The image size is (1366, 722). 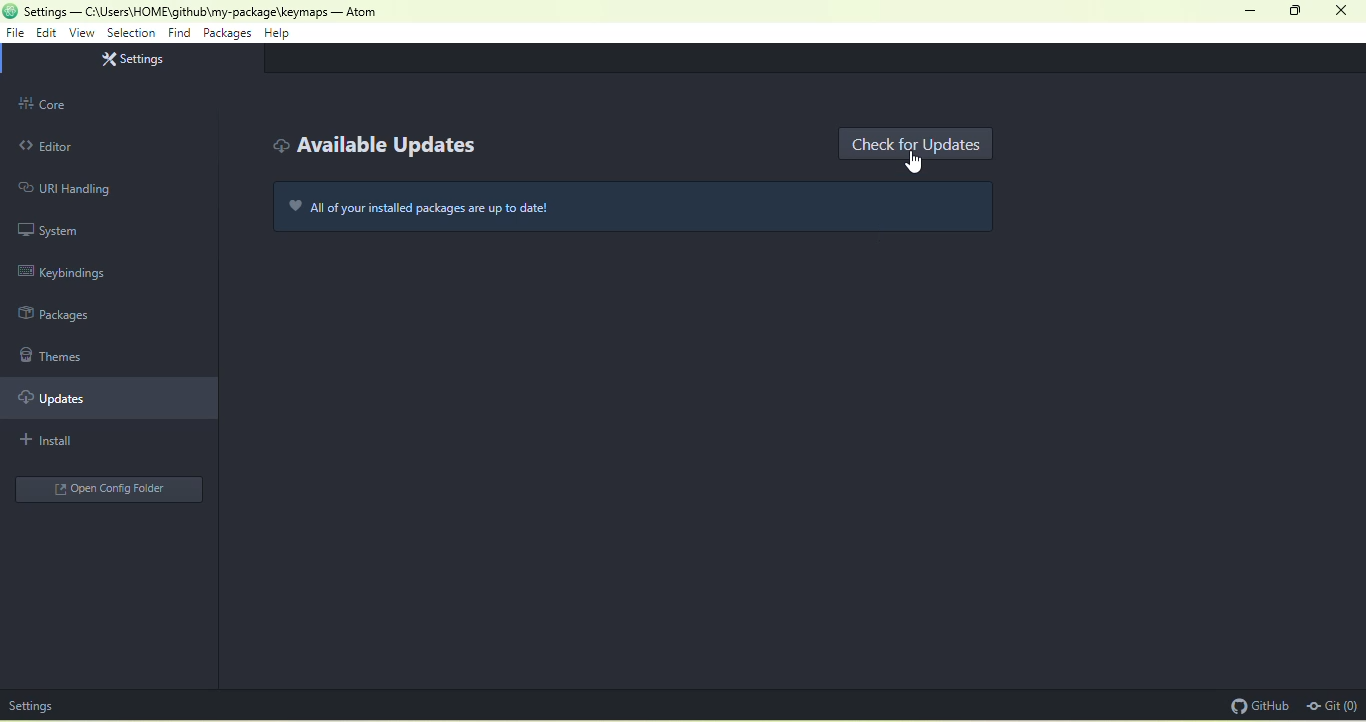 I want to click on minimize, so click(x=1249, y=11).